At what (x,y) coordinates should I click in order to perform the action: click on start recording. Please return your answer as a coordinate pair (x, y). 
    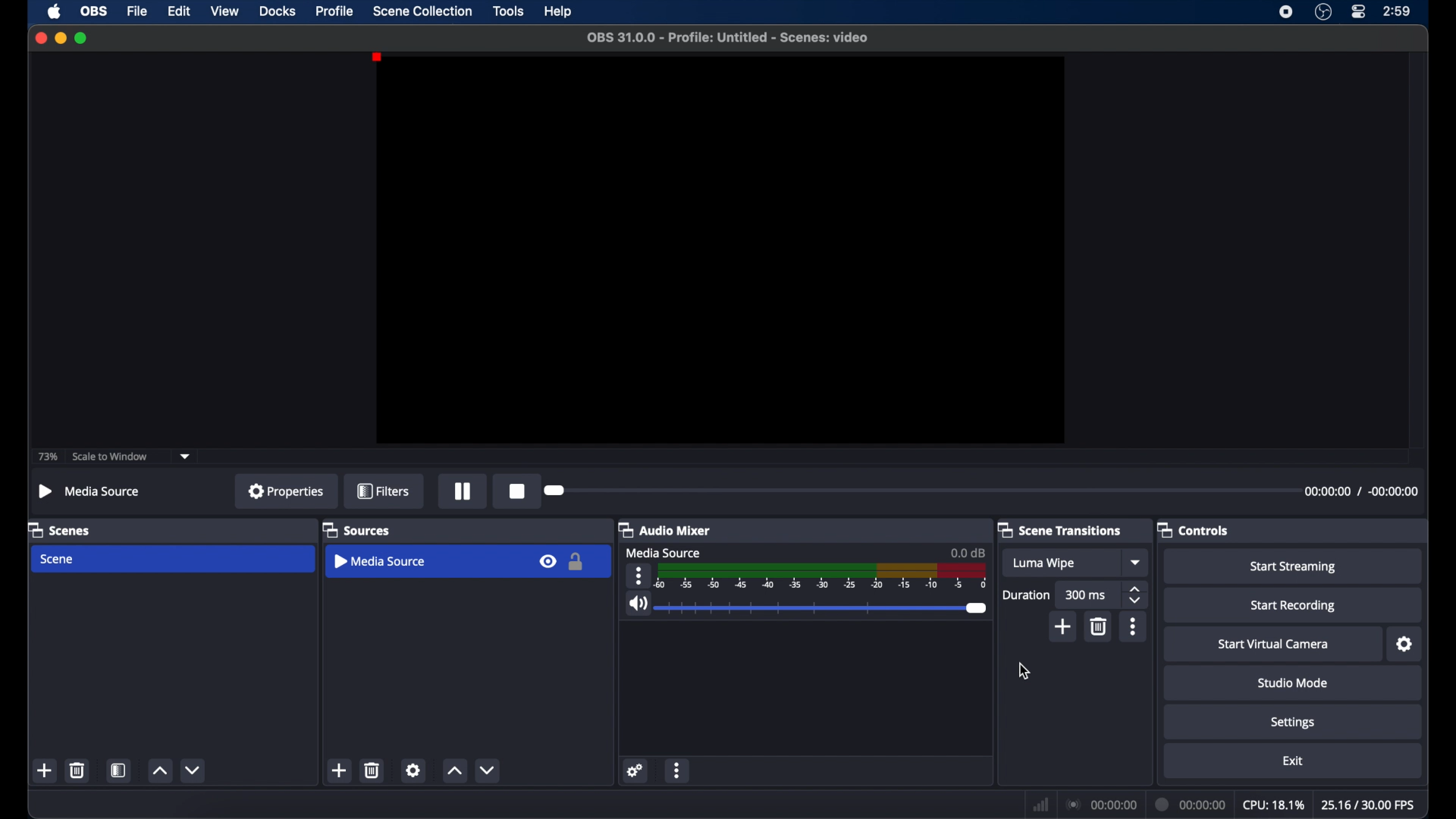
    Looking at the image, I should click on (1293, 606).